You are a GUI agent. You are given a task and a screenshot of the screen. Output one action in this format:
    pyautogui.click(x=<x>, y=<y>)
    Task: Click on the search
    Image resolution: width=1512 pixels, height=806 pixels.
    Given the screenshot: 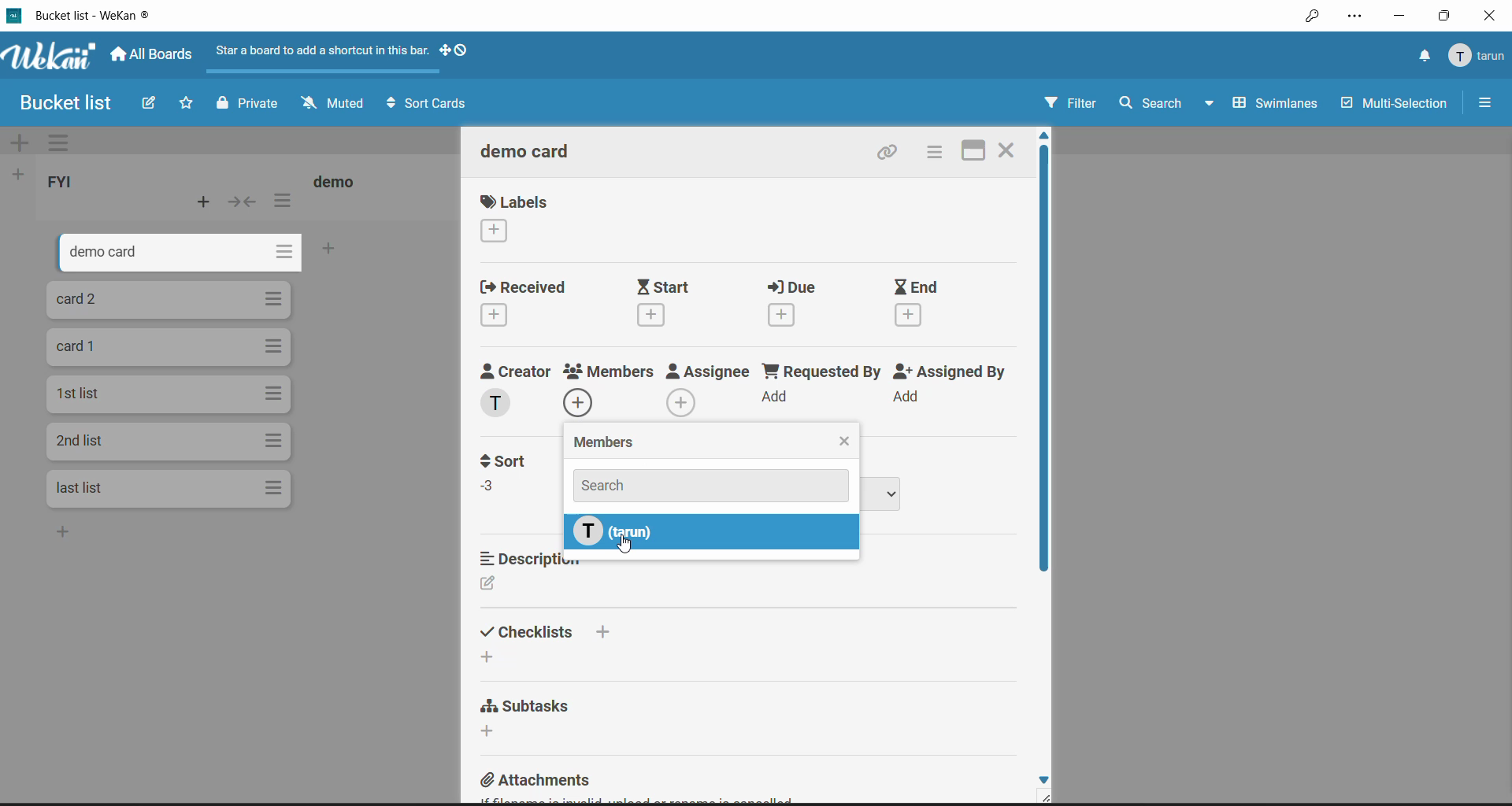 What is the action you would take?
    pyautogui.click(x=713, y=486)
    